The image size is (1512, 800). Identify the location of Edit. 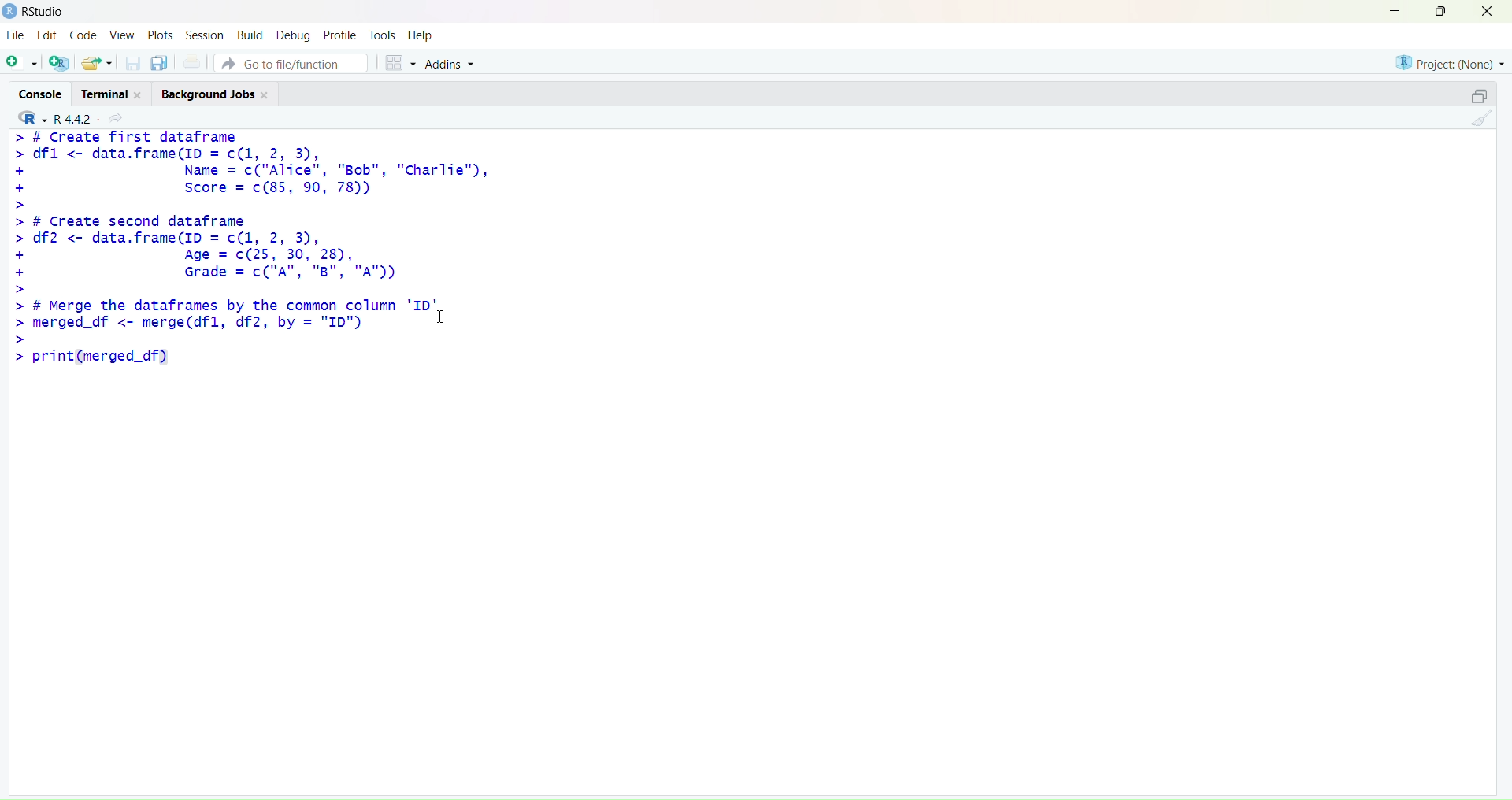
(47, 35).